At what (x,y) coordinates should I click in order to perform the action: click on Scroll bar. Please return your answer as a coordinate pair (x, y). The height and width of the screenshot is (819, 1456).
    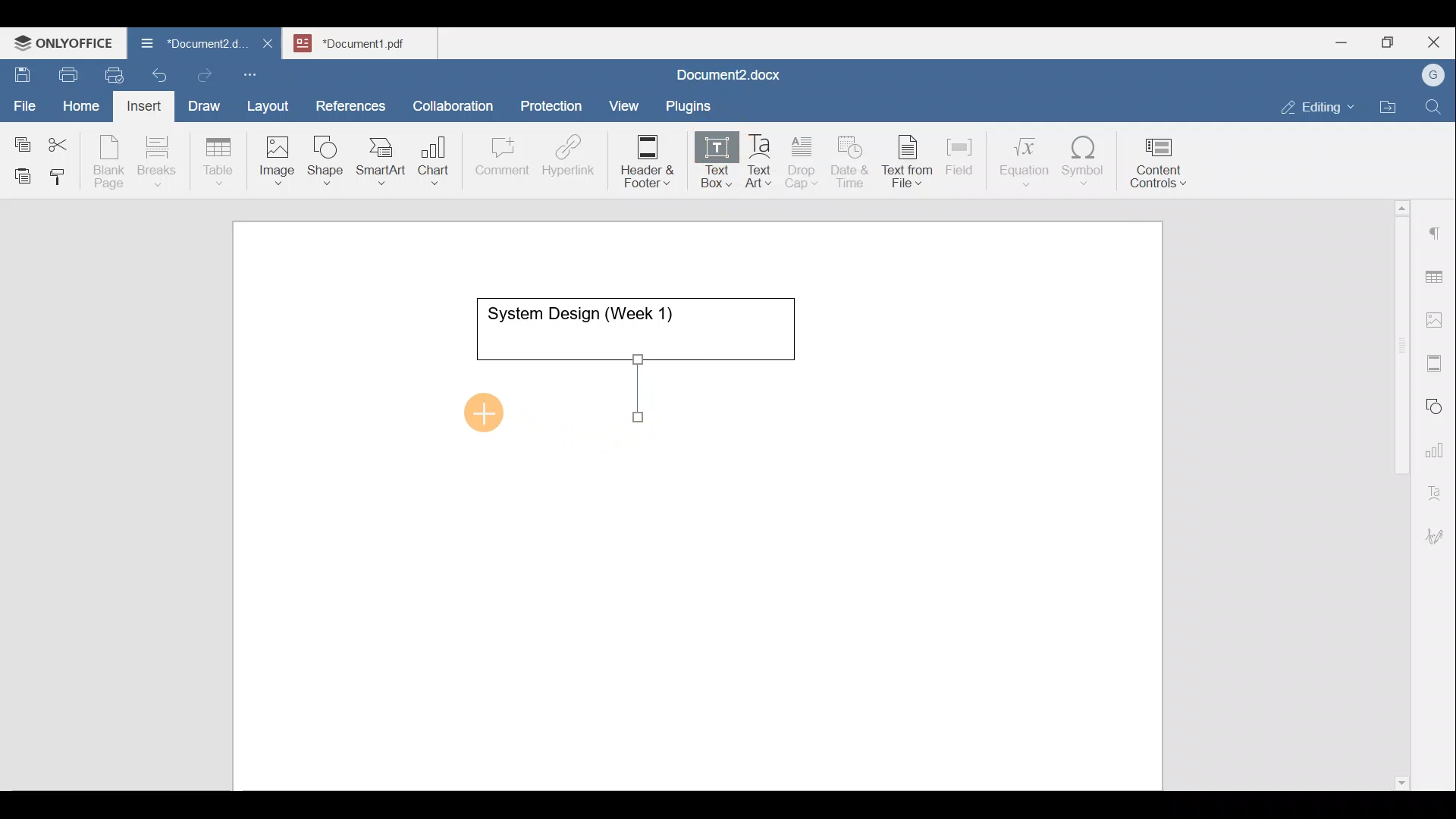
    Looking at the image, I should click on (1396, 492).